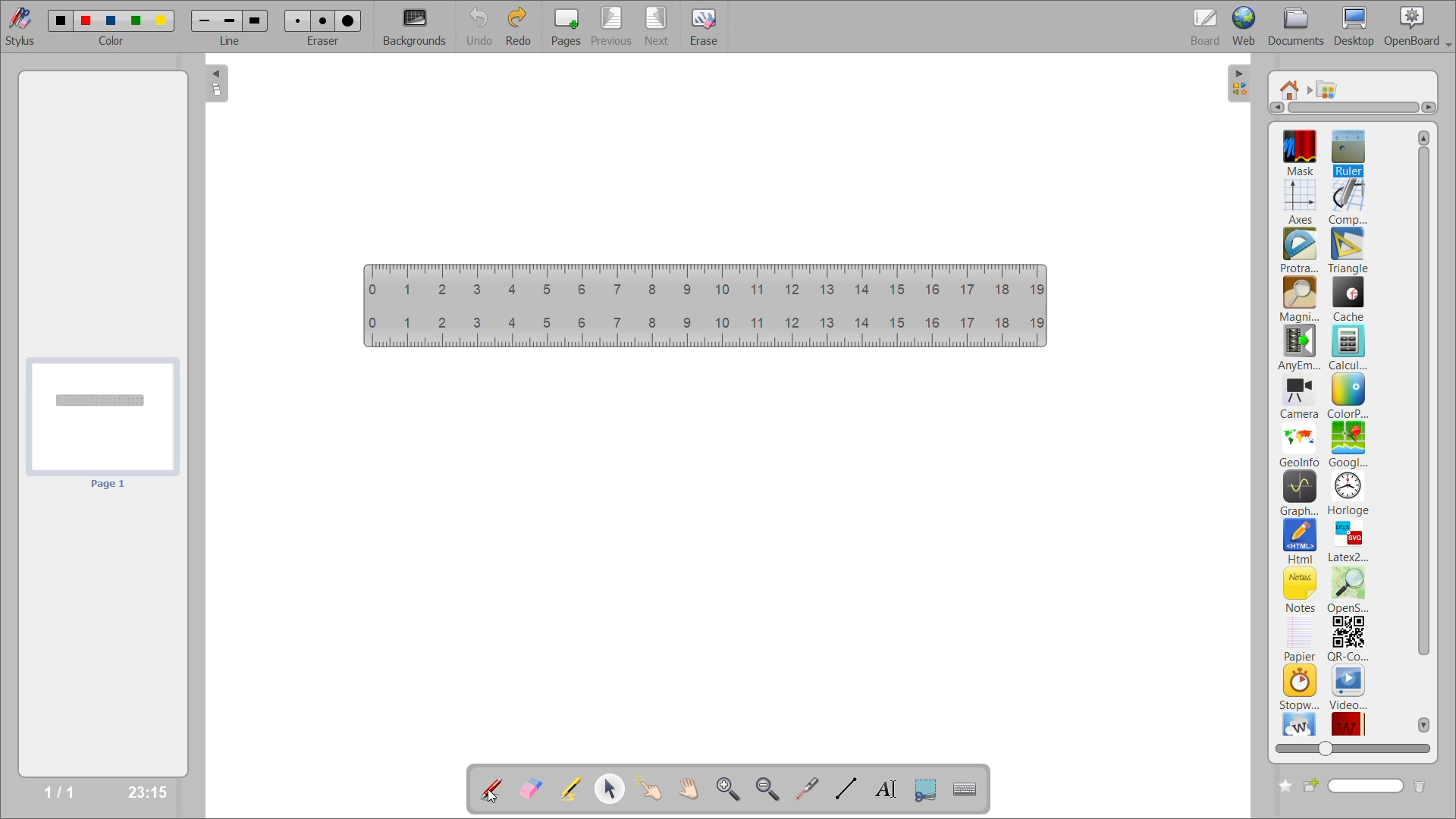 This screenshot has height=819, width=1456. What do you see at coordinates (135, 22) in the screenshot?
I see `color 4` at bounding box center [135, 22].